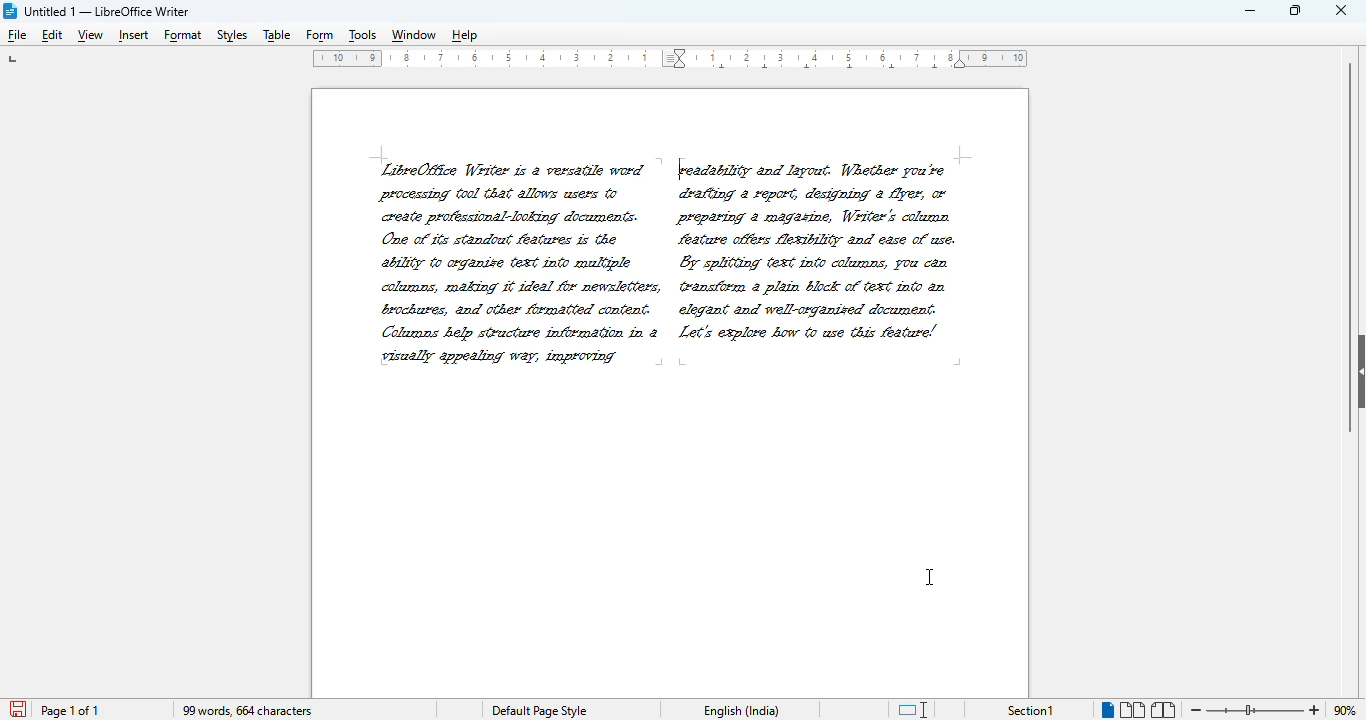  I want to click on file, so click(16, 35).